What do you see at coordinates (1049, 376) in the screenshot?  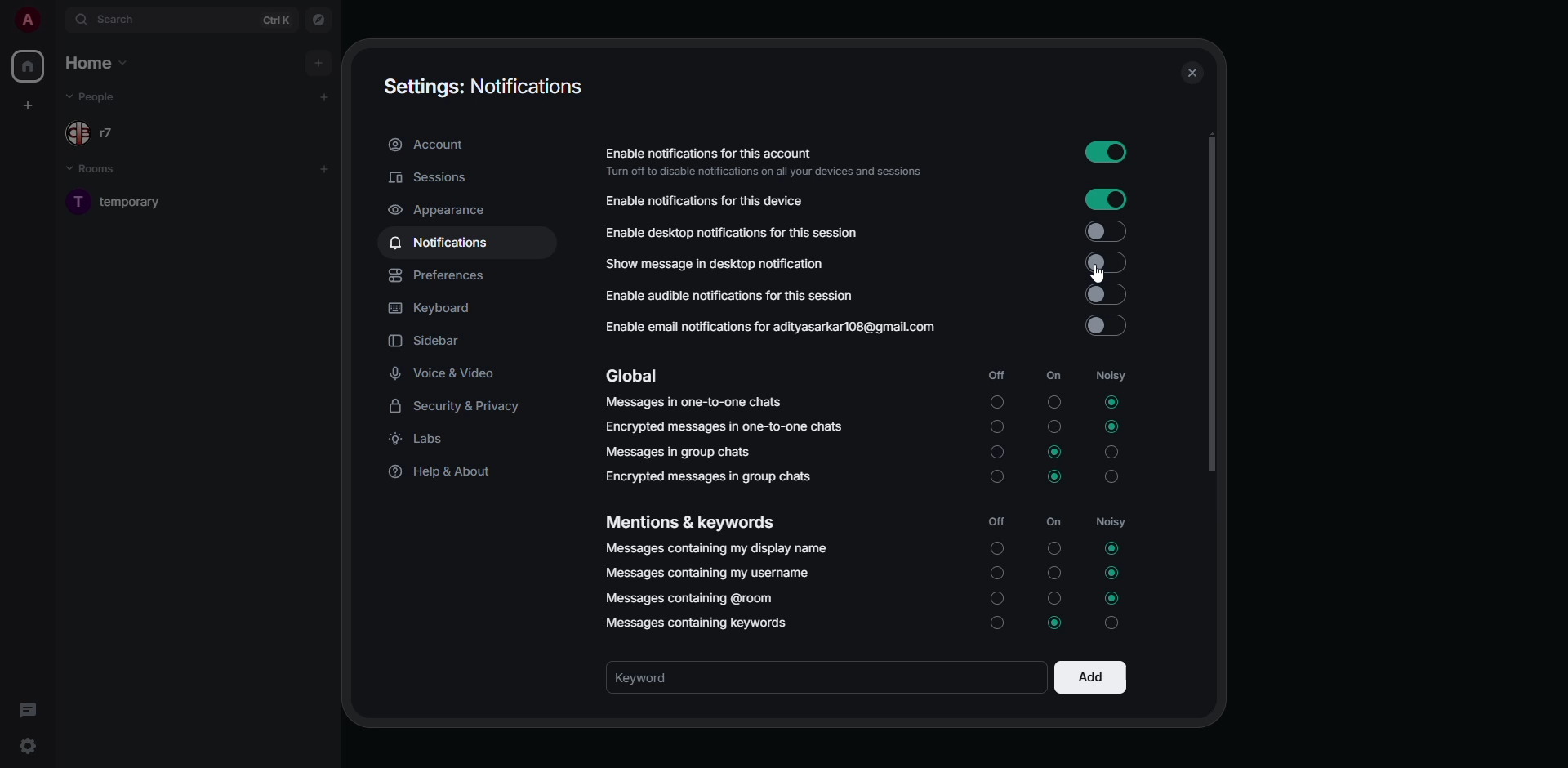 I see `on` at bounding box center [1049, 376].